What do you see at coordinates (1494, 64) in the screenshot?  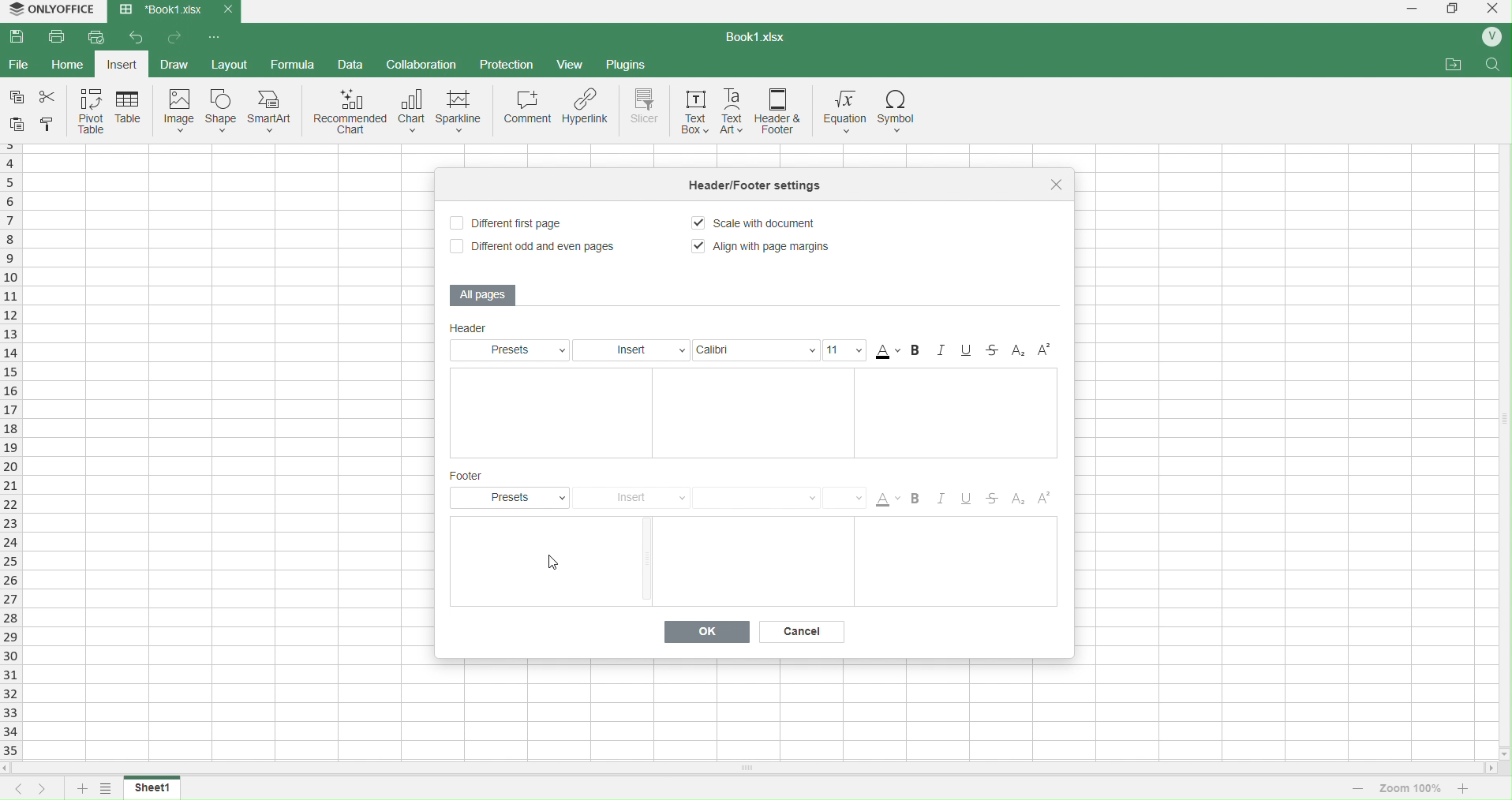 I see `search` at bounding box center [1494, 64].